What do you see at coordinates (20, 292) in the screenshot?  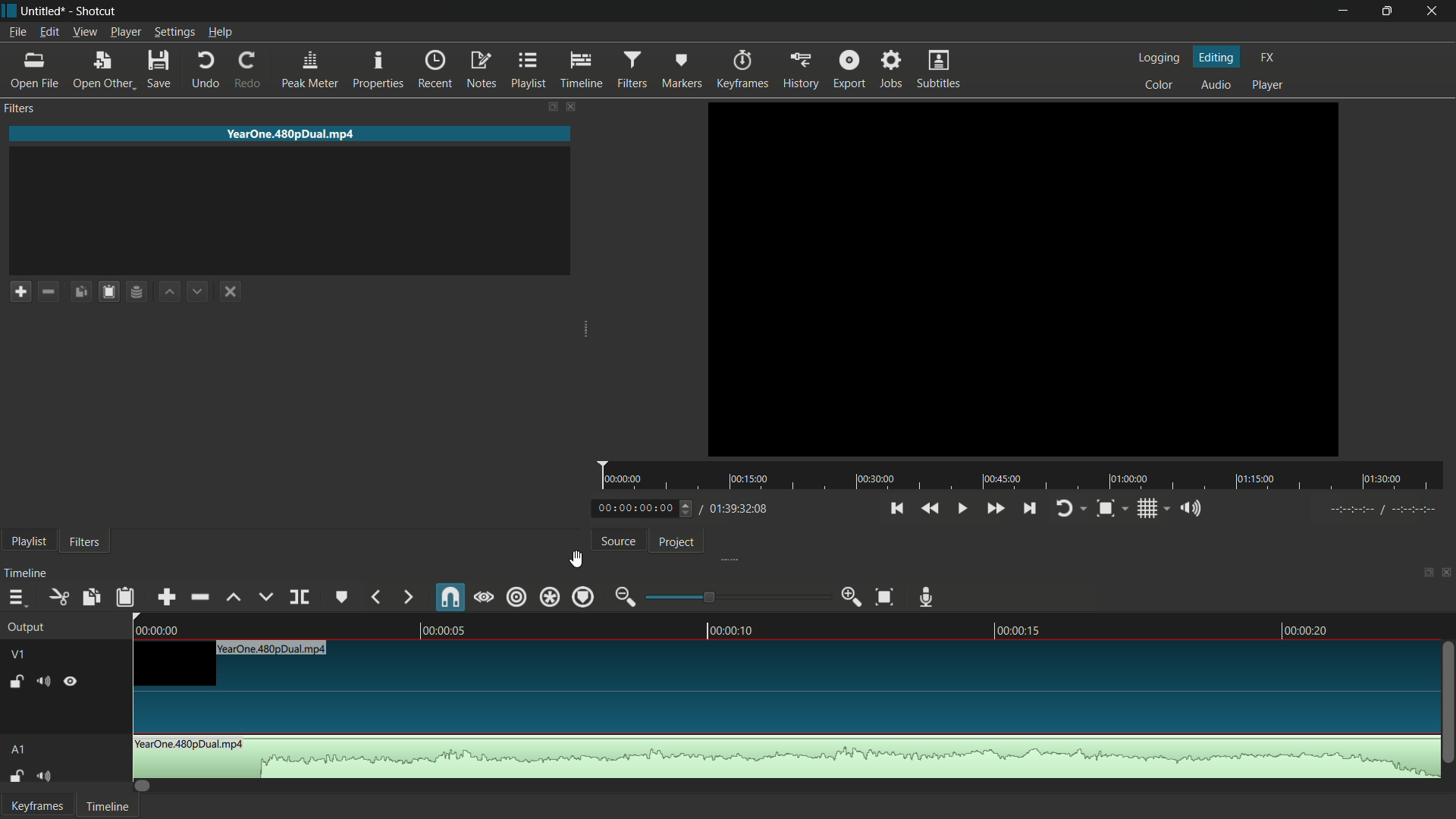 I see `add a filter` at bounding box center [20, 292].